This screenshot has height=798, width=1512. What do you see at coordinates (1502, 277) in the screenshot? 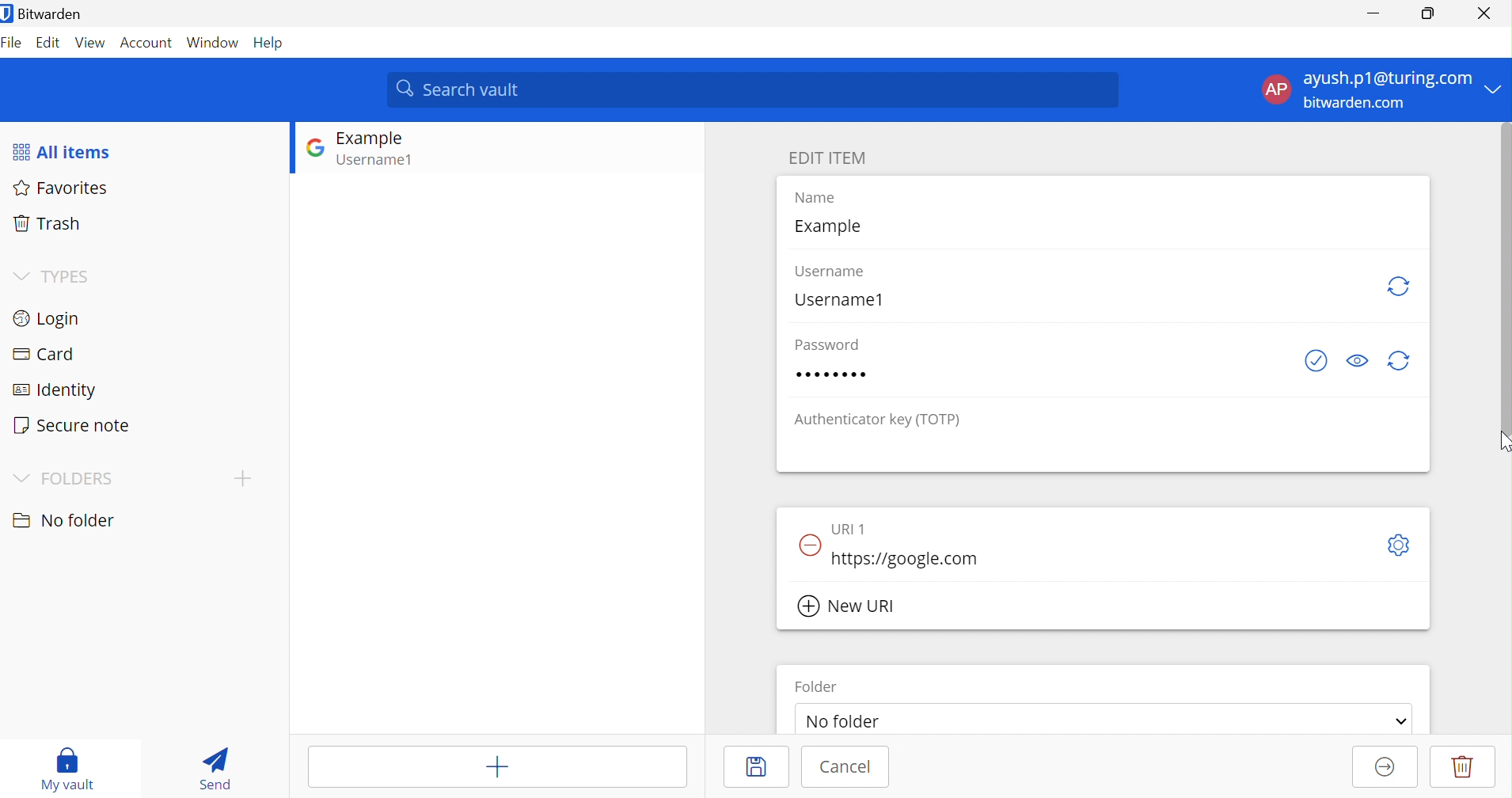
I see `Scroll Bar` at bounding box center [1502, 277].